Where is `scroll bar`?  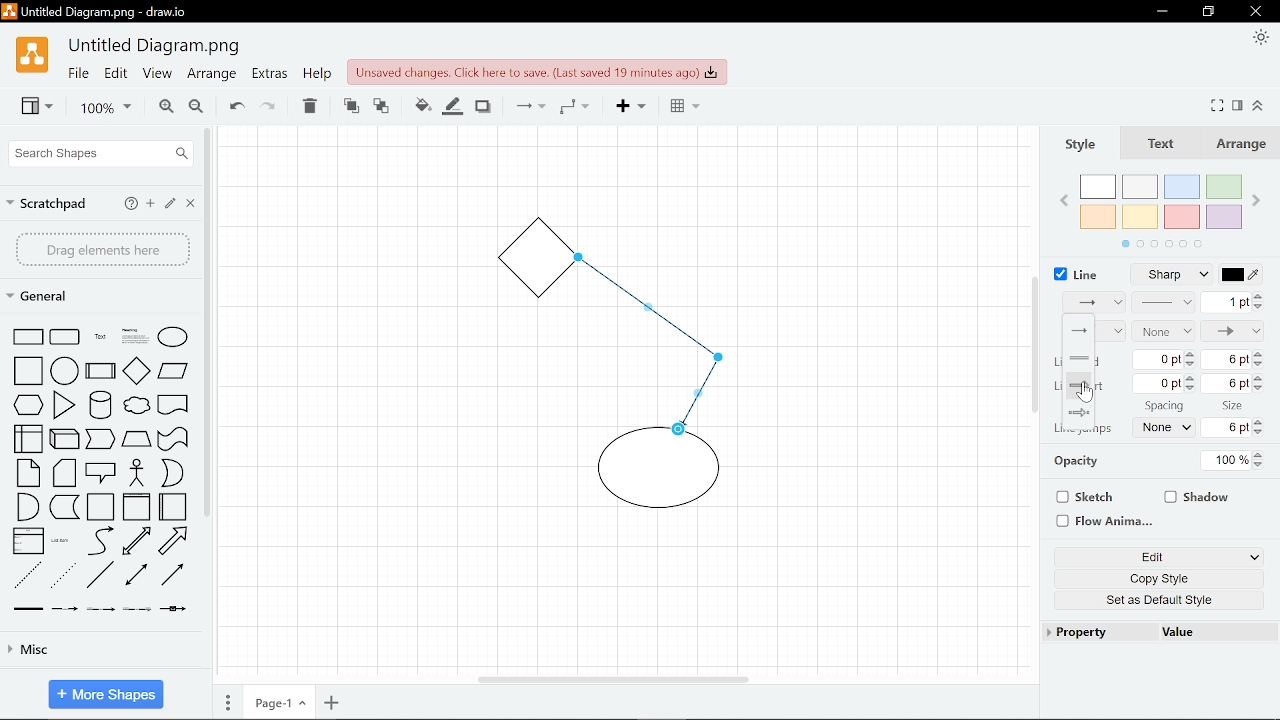 scroll bar is located at coordinates (1032, 348).